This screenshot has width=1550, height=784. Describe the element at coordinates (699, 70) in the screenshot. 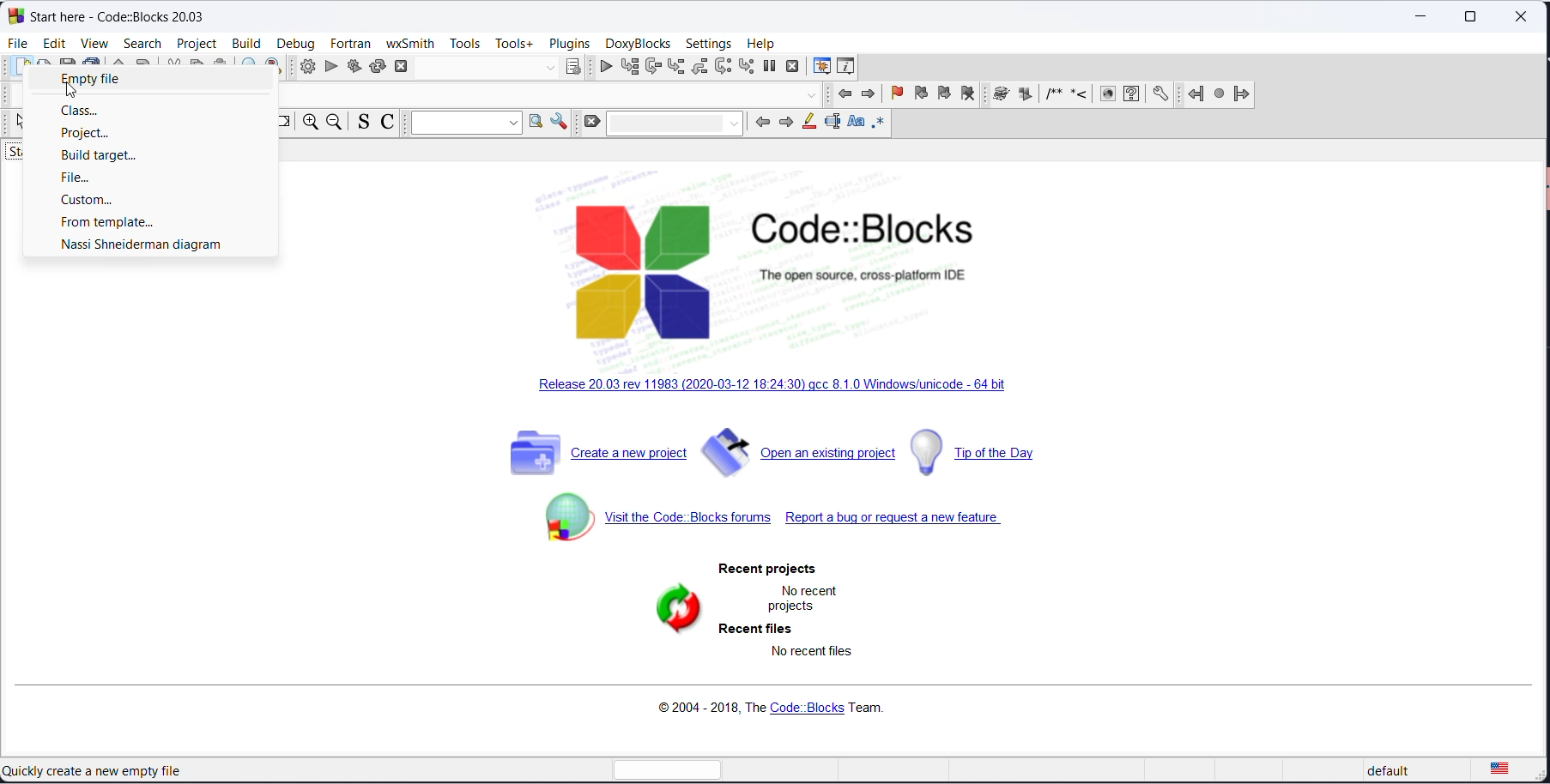

I see `step out` at that location.